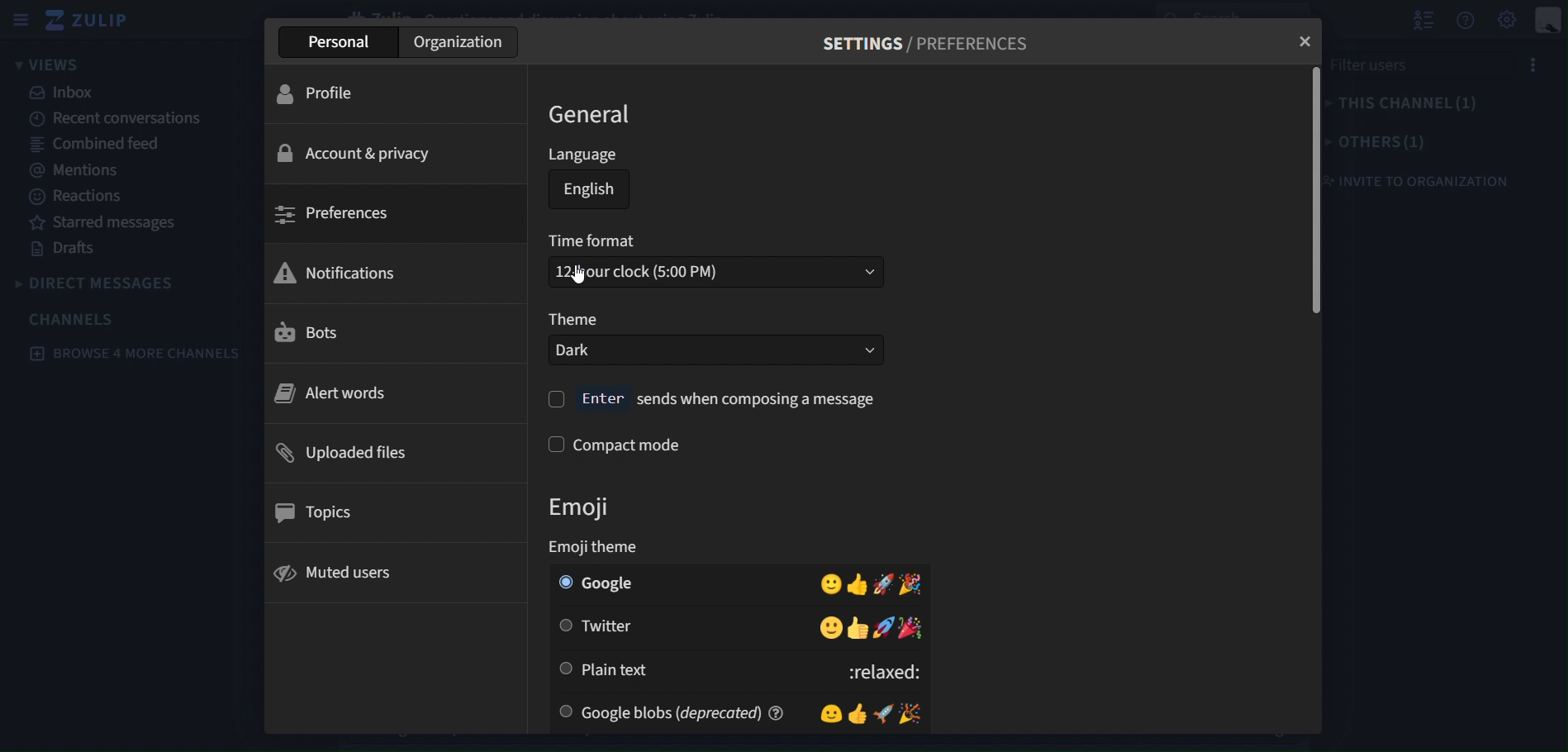 The width and height of the screenshot is (1568, 752). What do you see at coordinates (612, 548) in the screenshot?
I see `Emoji theme` at bounding box center [612, 548].